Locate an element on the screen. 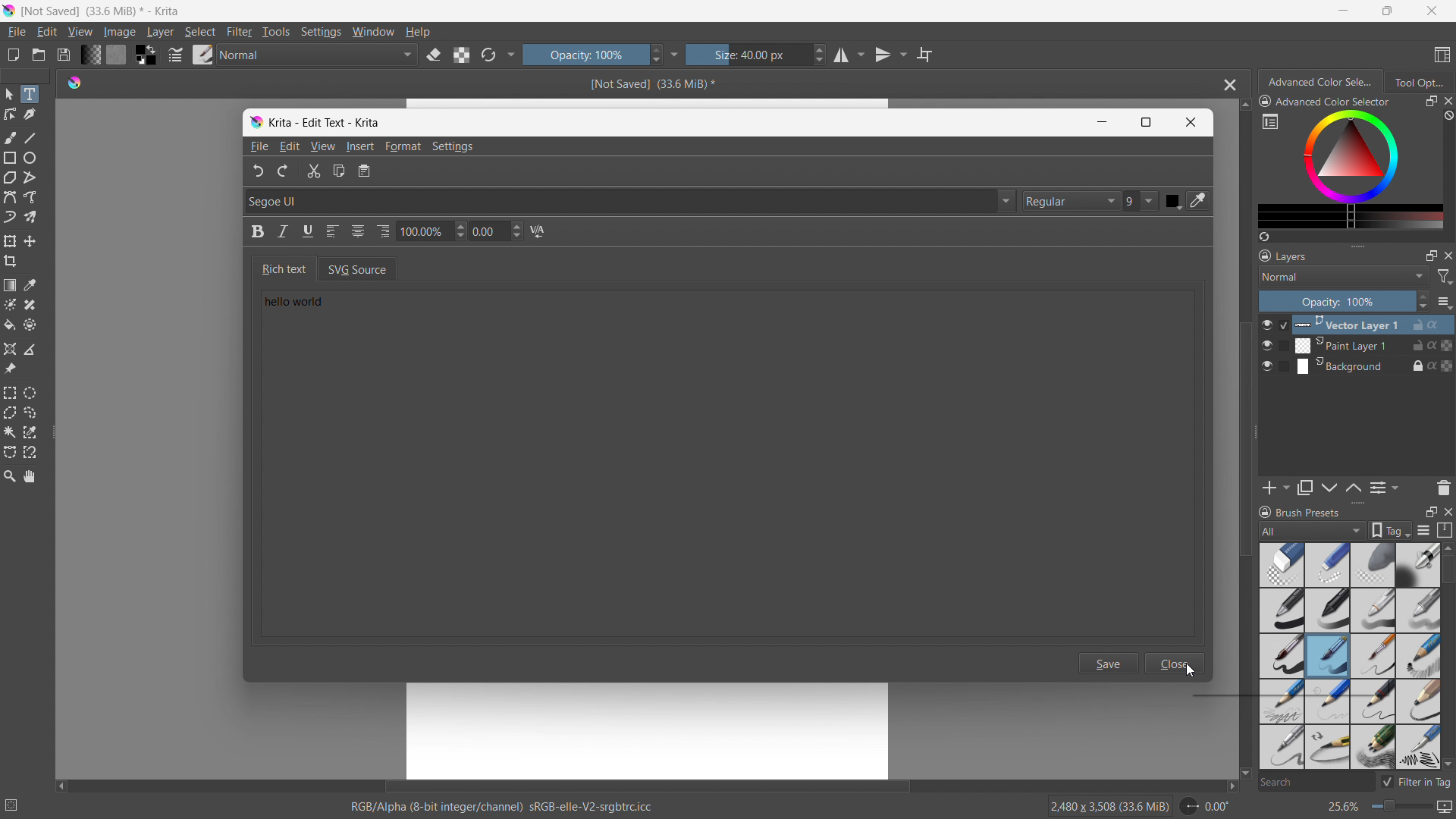 The width and height of the screenshot is (1456, 819). tool options is located at coordinates (1418, 81).